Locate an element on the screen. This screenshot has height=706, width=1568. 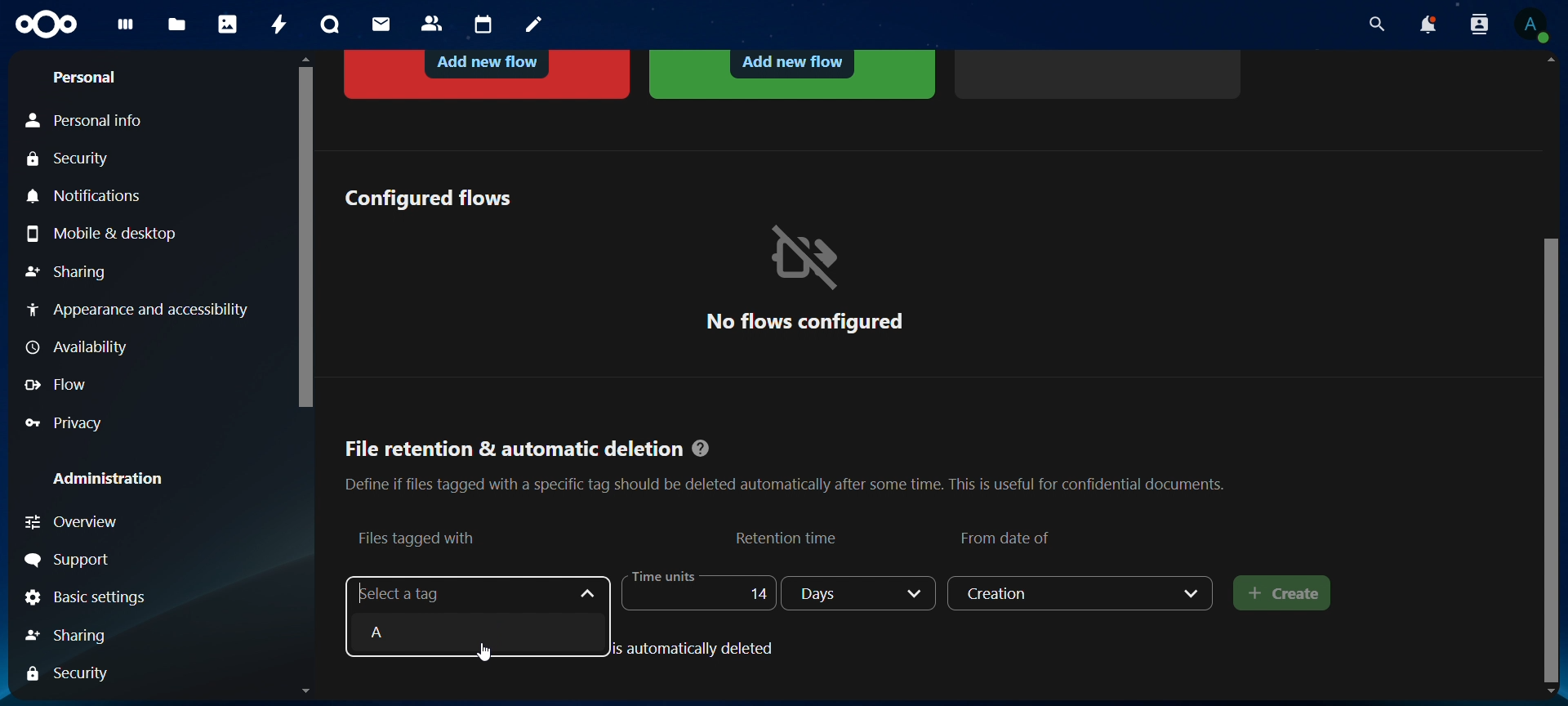
view profile is located at coordinates (1531, 25).